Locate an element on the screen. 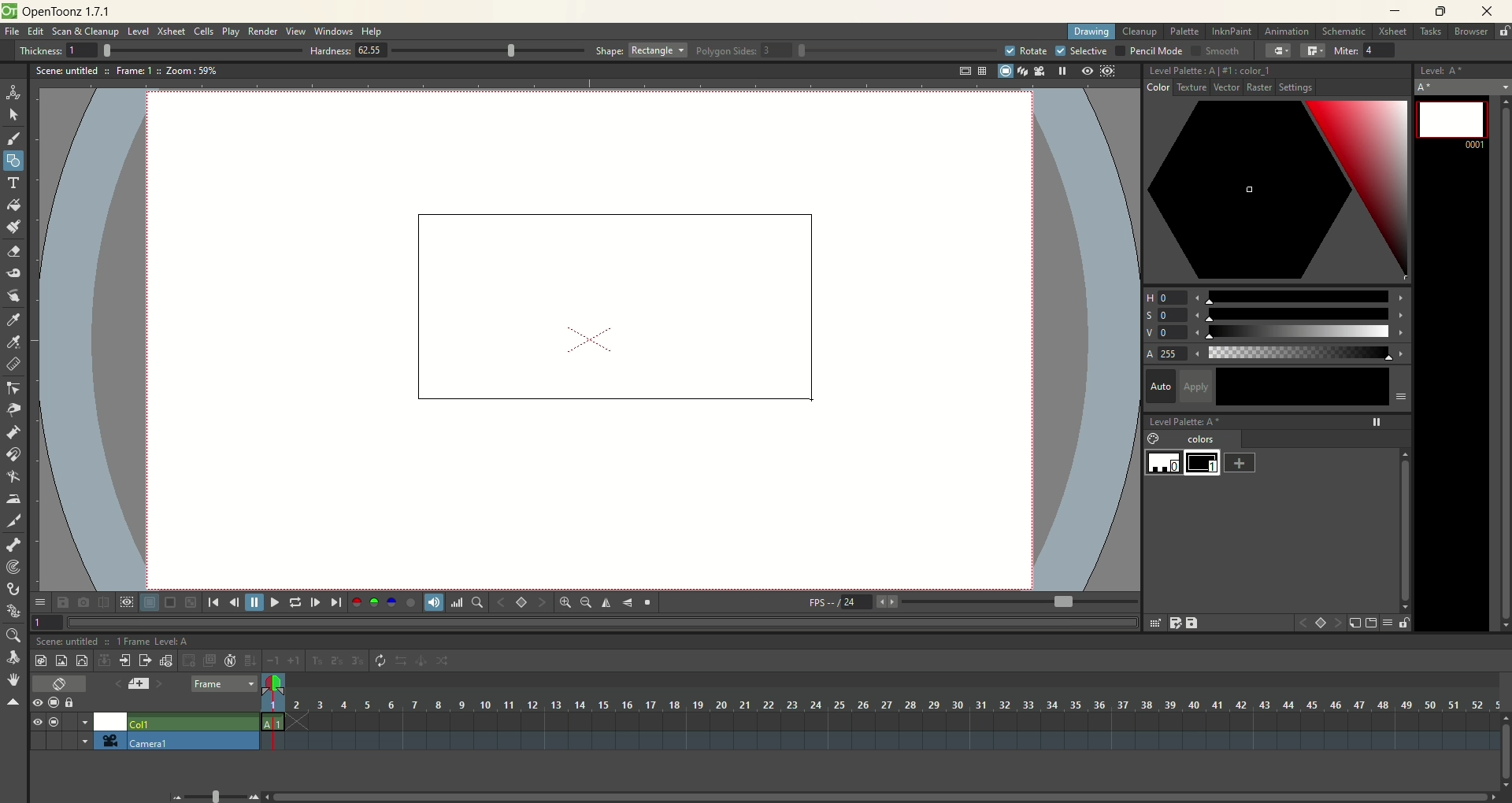 This screenshot has height=803, width=1512. colors is located at coordinates (1195, 440).